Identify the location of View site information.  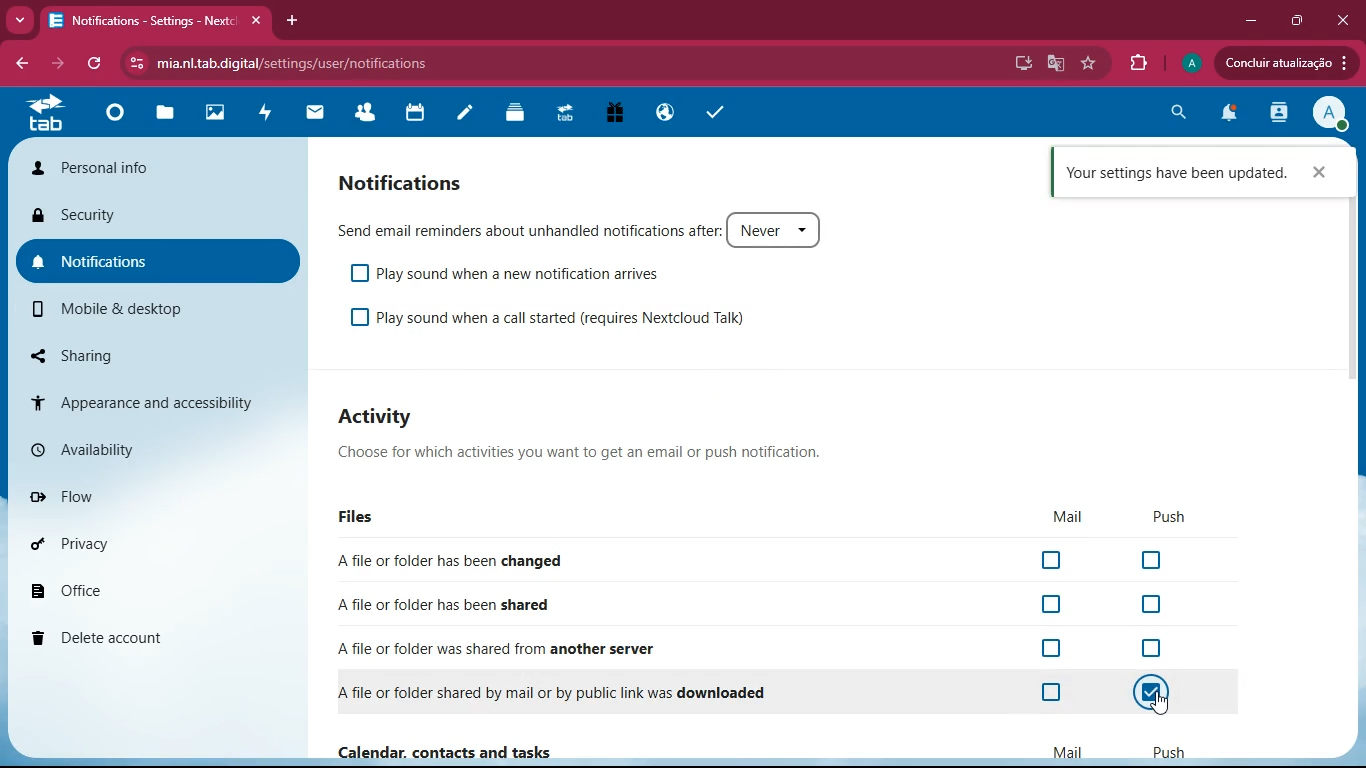
(133, 65).